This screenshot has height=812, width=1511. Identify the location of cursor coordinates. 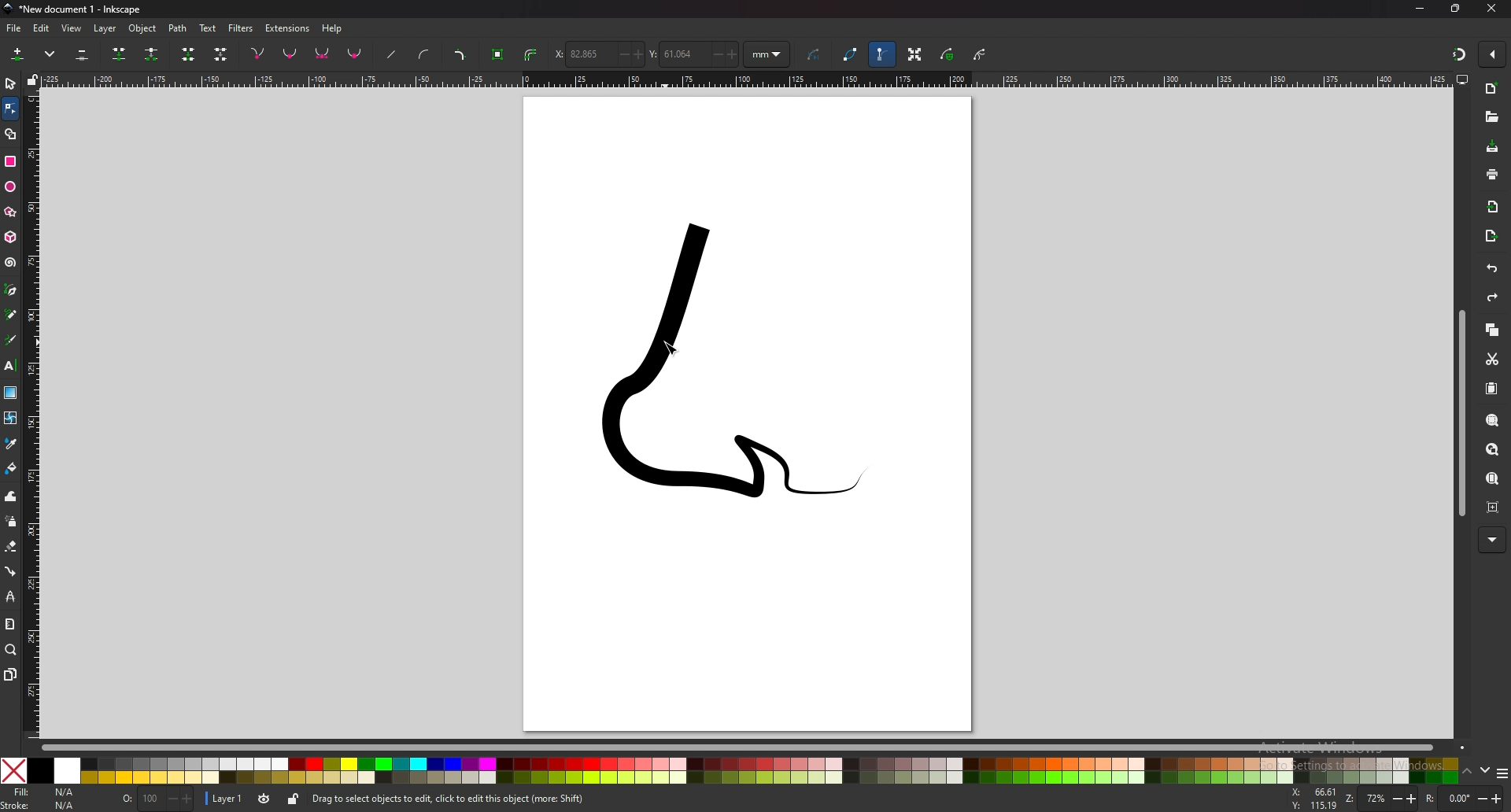
(1317, 799).